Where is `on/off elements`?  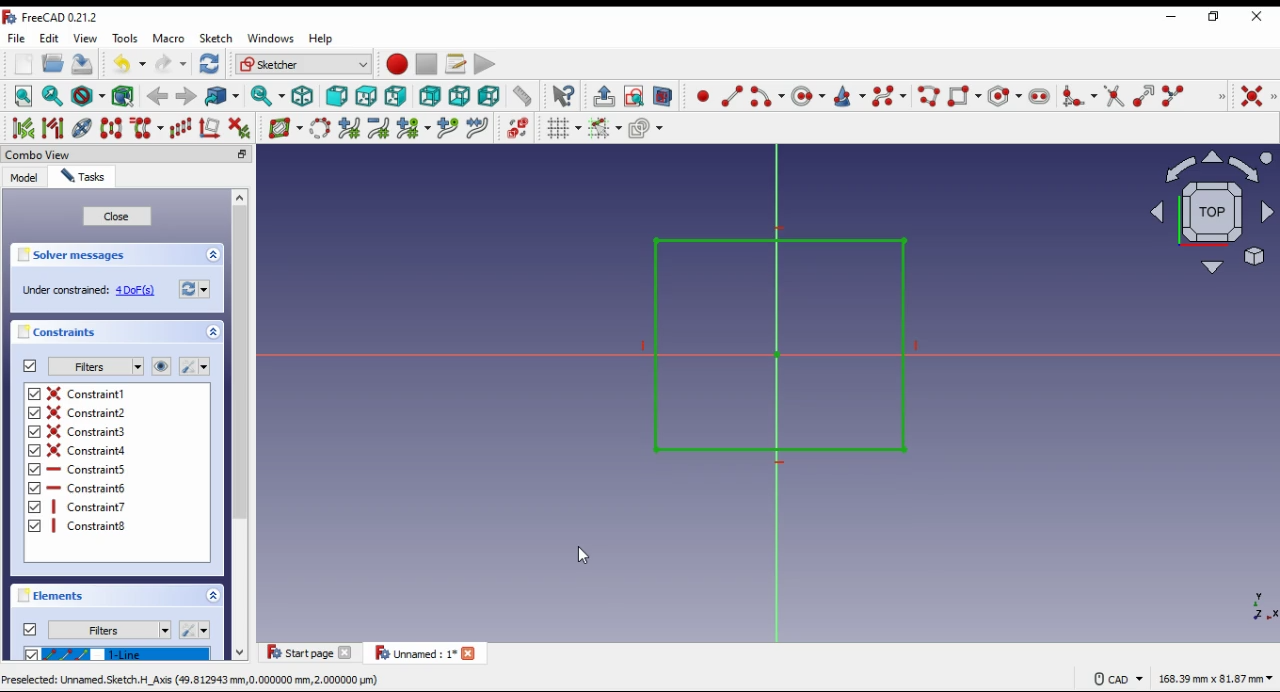
on/off elements is located at coordinates (30, 629).